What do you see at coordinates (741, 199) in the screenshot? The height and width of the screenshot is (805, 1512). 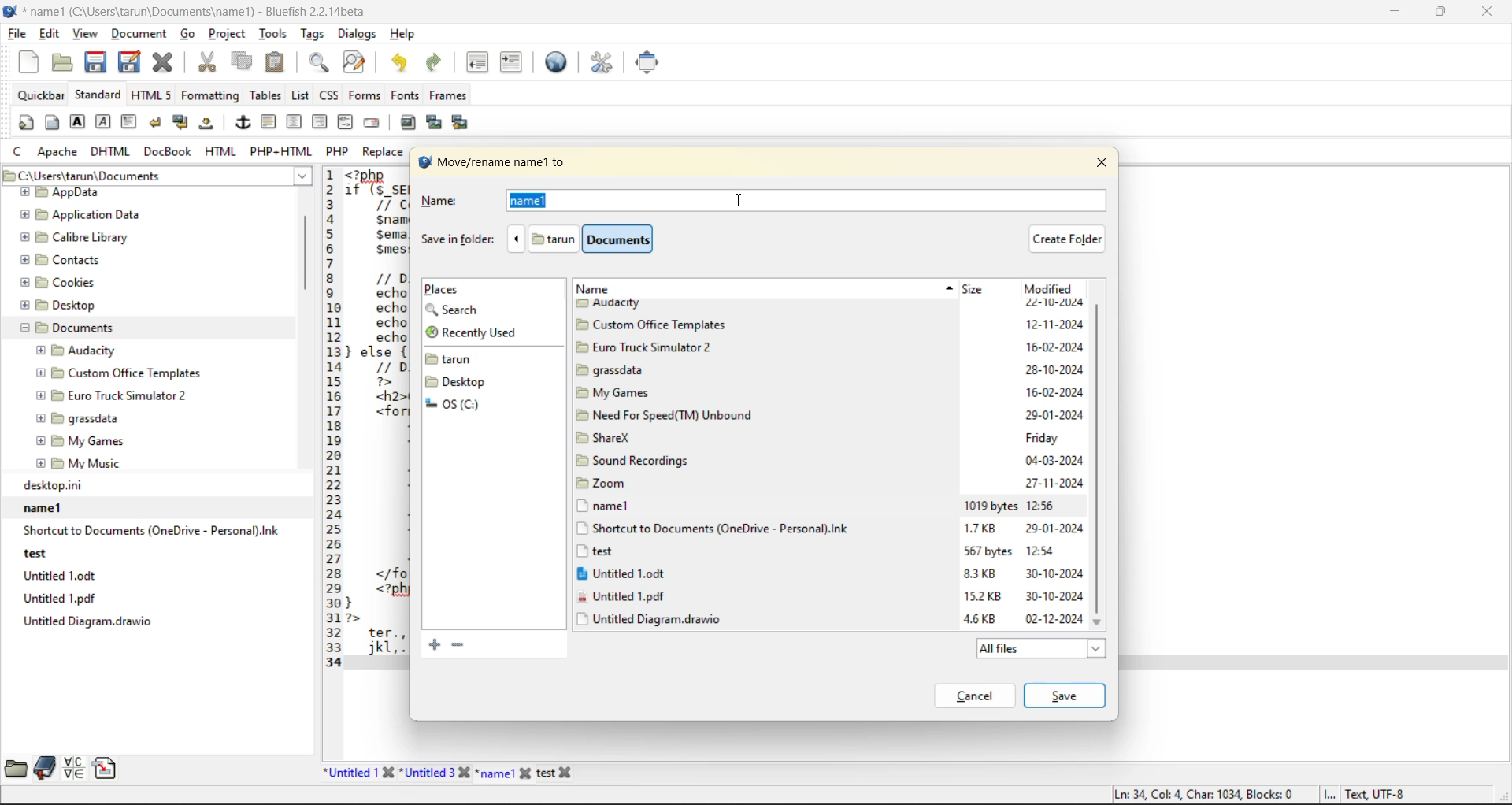 I see `insertion cursor` at bounding box center [741, 199].